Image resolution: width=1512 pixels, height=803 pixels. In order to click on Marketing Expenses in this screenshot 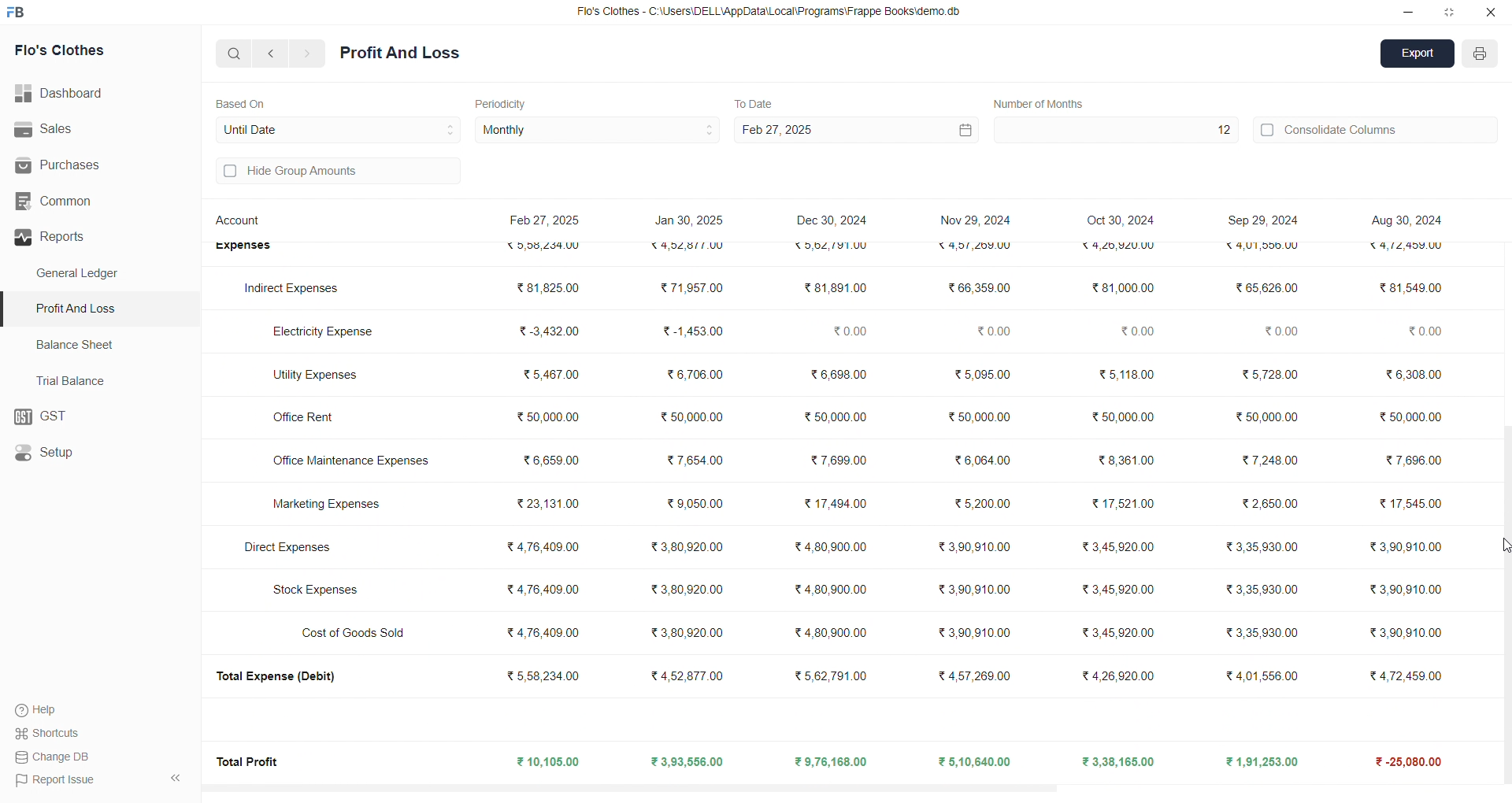, I will do `click(324, 506)`.